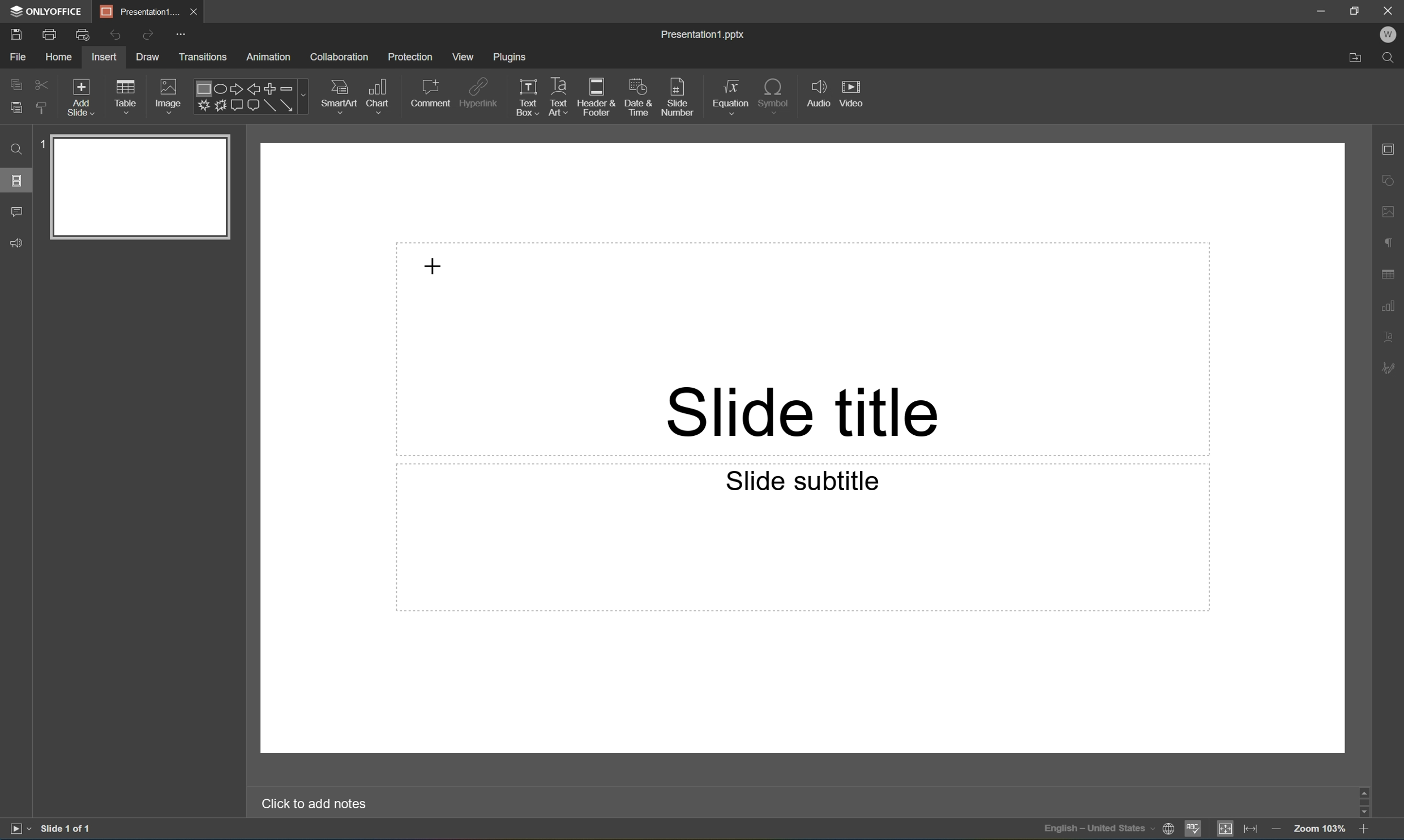 This screenshot has height=840, width=1404. What do you see at coordinates (19, 829) in the screenshot?
I see `Start slideshow` at bounding box center [19, 829].